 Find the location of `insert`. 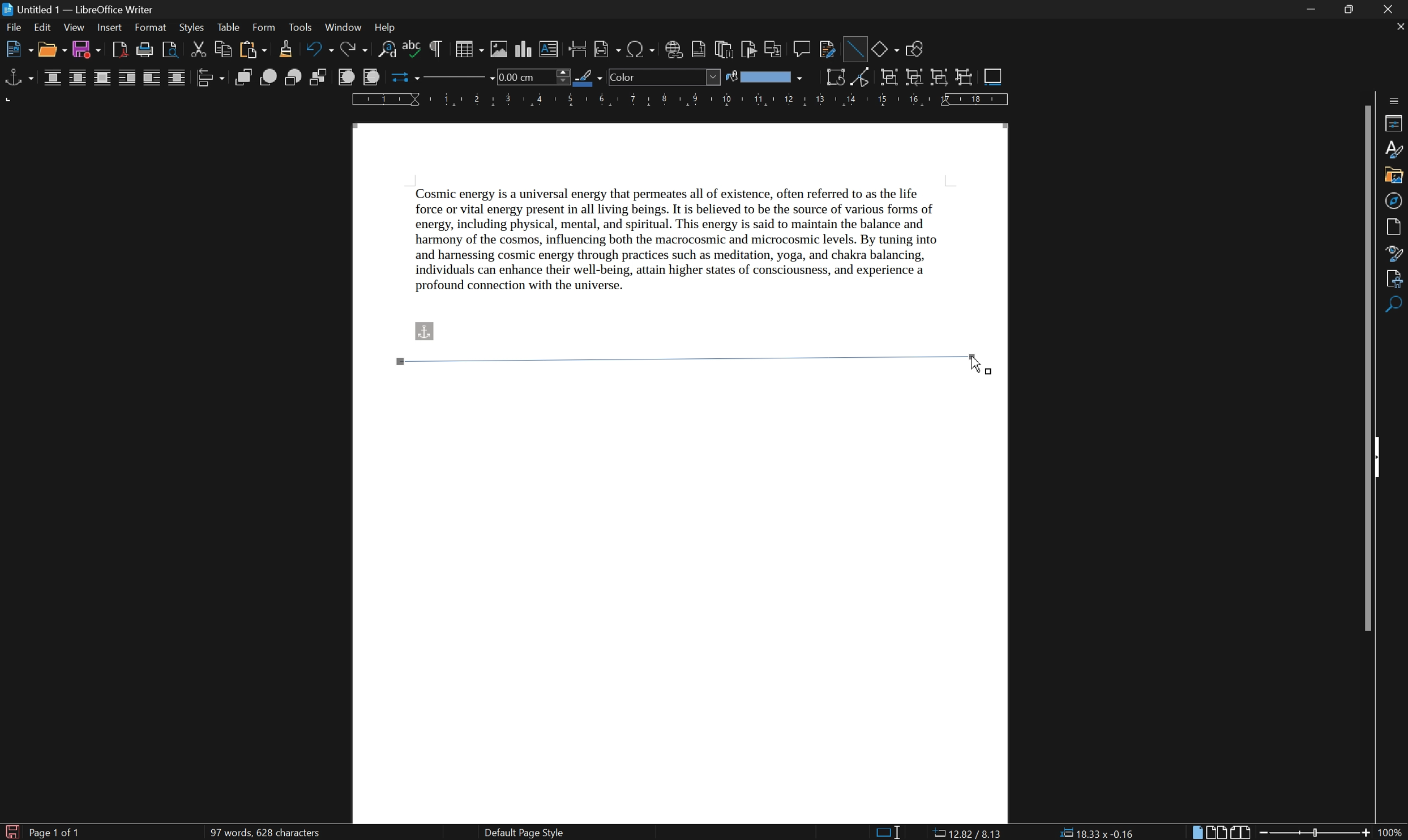

insert is located at coordinates (109, 28).